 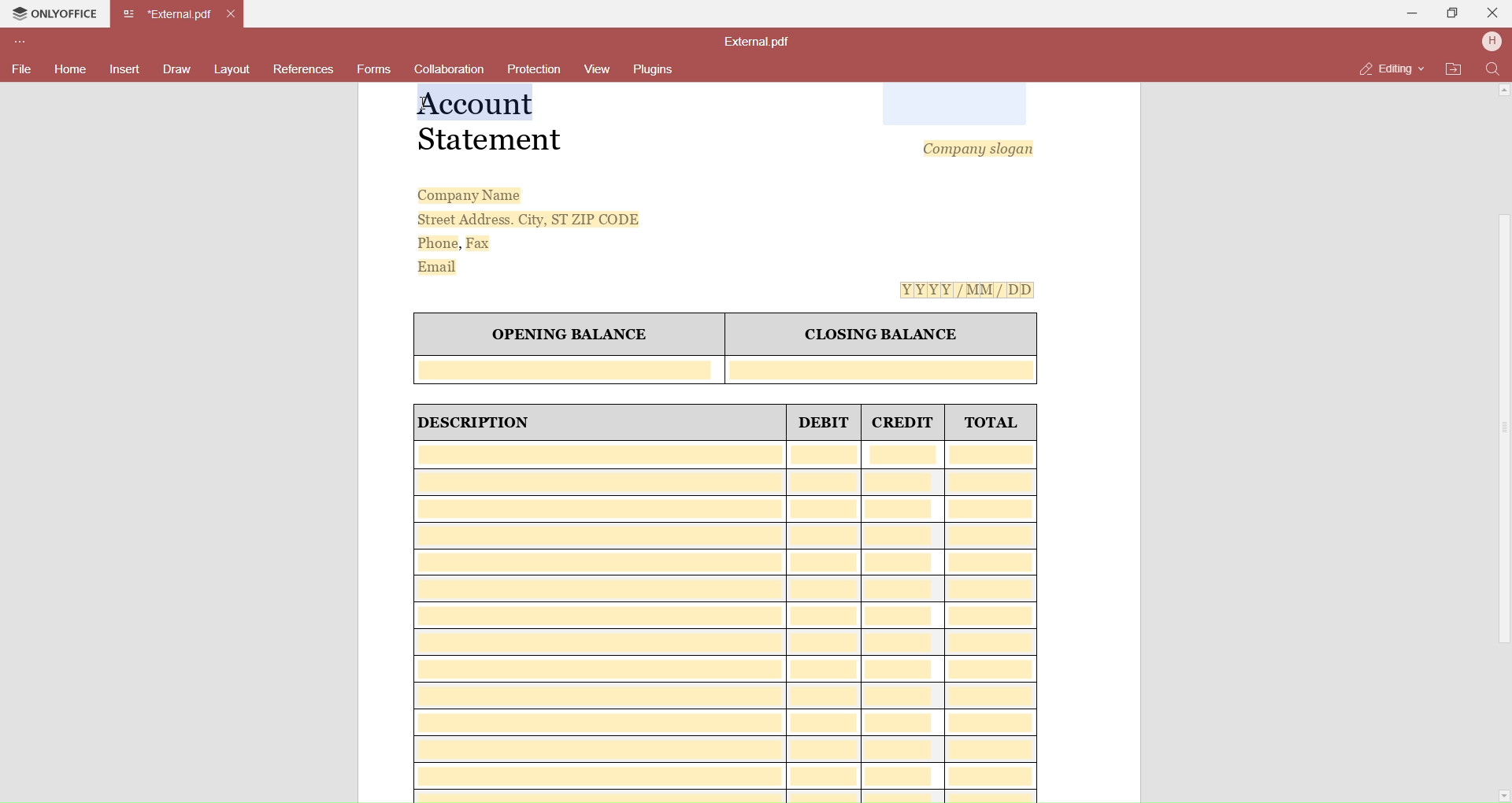 What do you see at coordinates (456, 244) in the screenshot?
I see `Phone, Fax` at bounding box center [456, 244].